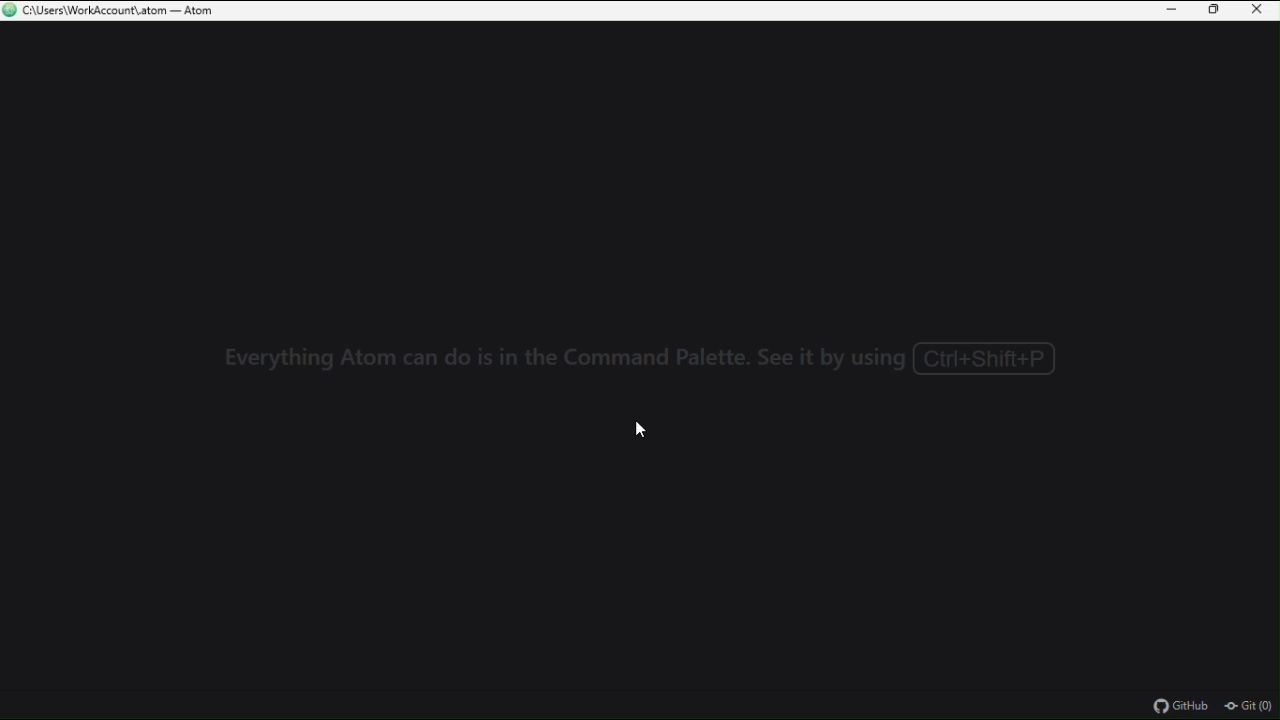 Image resolution: width=1280 pixels, height=720 pixels. Describe the element at coordinates (1181, 706) in the screenshot. I see `github` at that location.